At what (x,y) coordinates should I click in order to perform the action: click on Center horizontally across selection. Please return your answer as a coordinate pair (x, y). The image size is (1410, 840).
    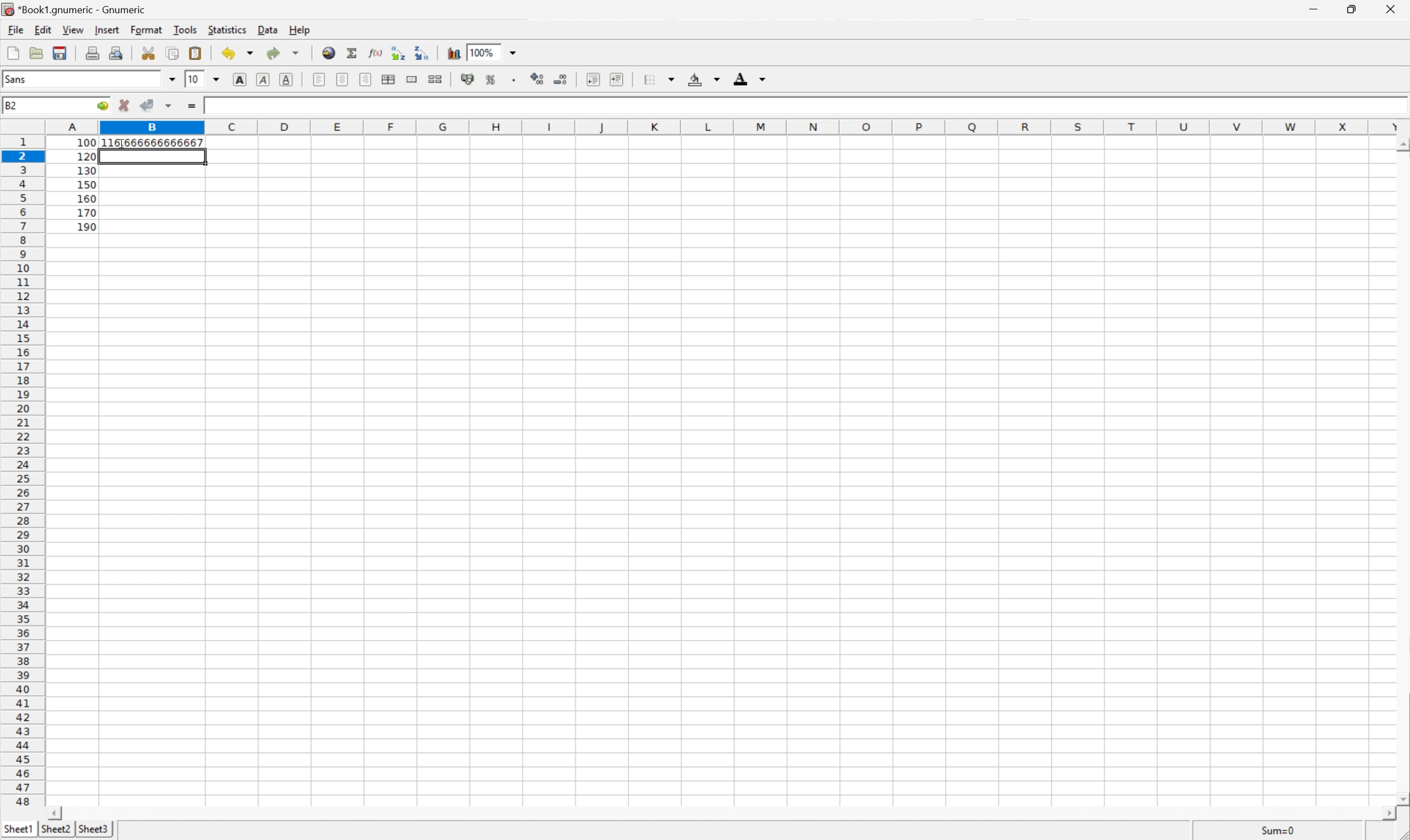
    Looking at the image, I should click on (388, 79).